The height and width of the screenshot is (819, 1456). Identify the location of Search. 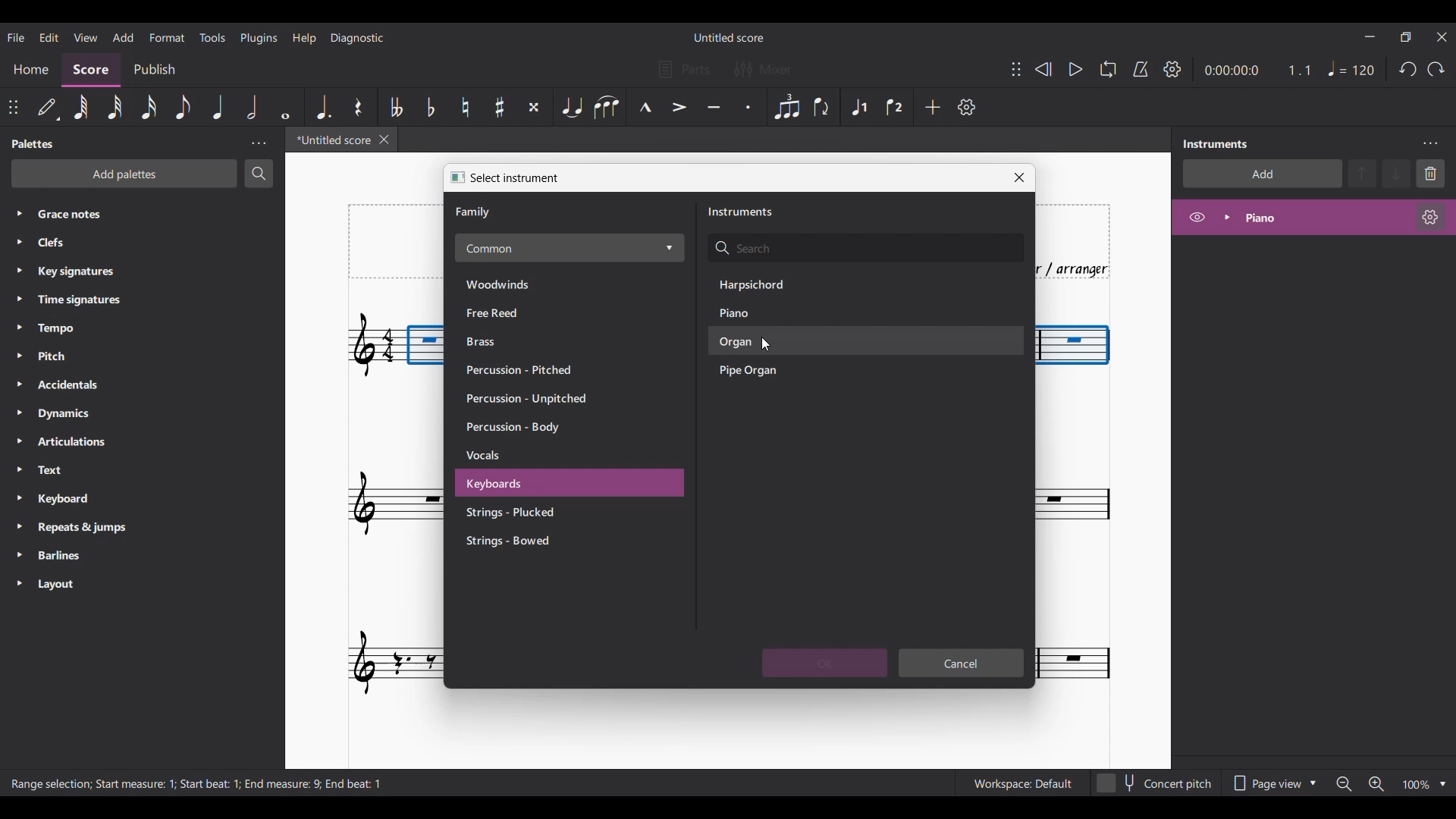
(259, 173).